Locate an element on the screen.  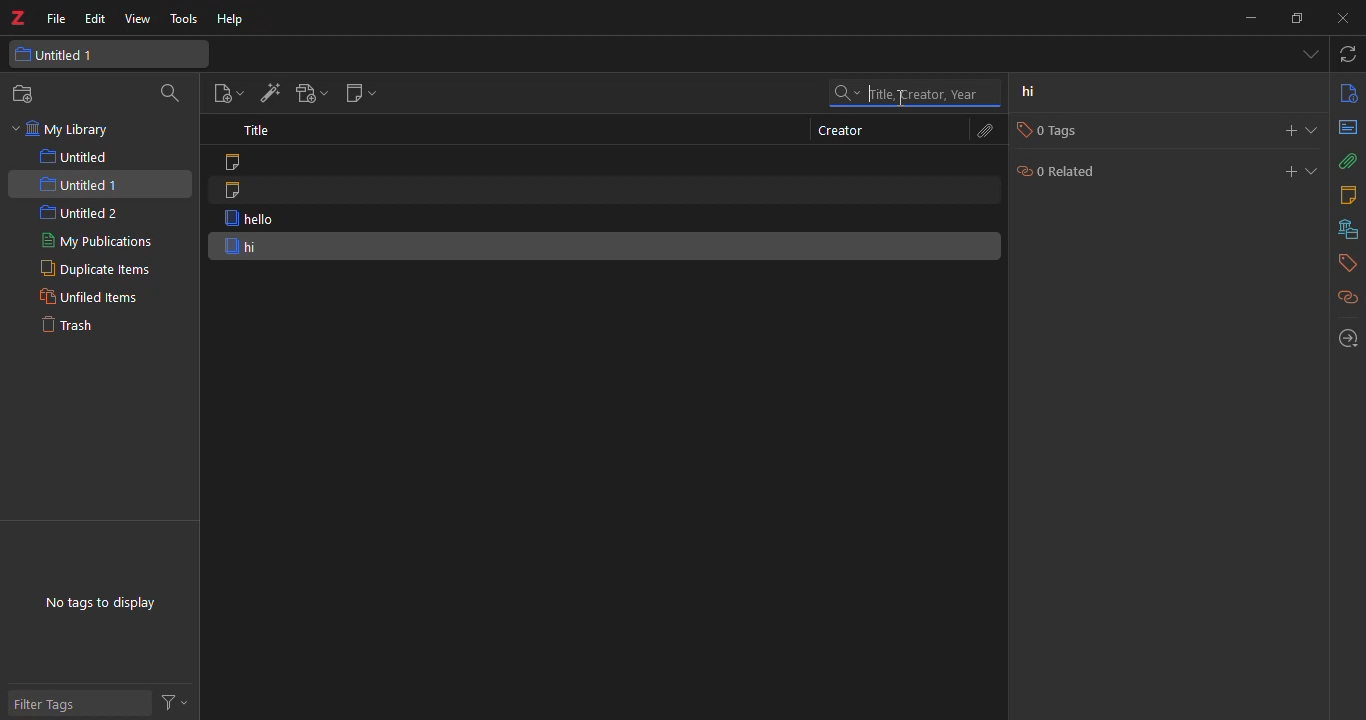
note is located at coordinates (242, 192).